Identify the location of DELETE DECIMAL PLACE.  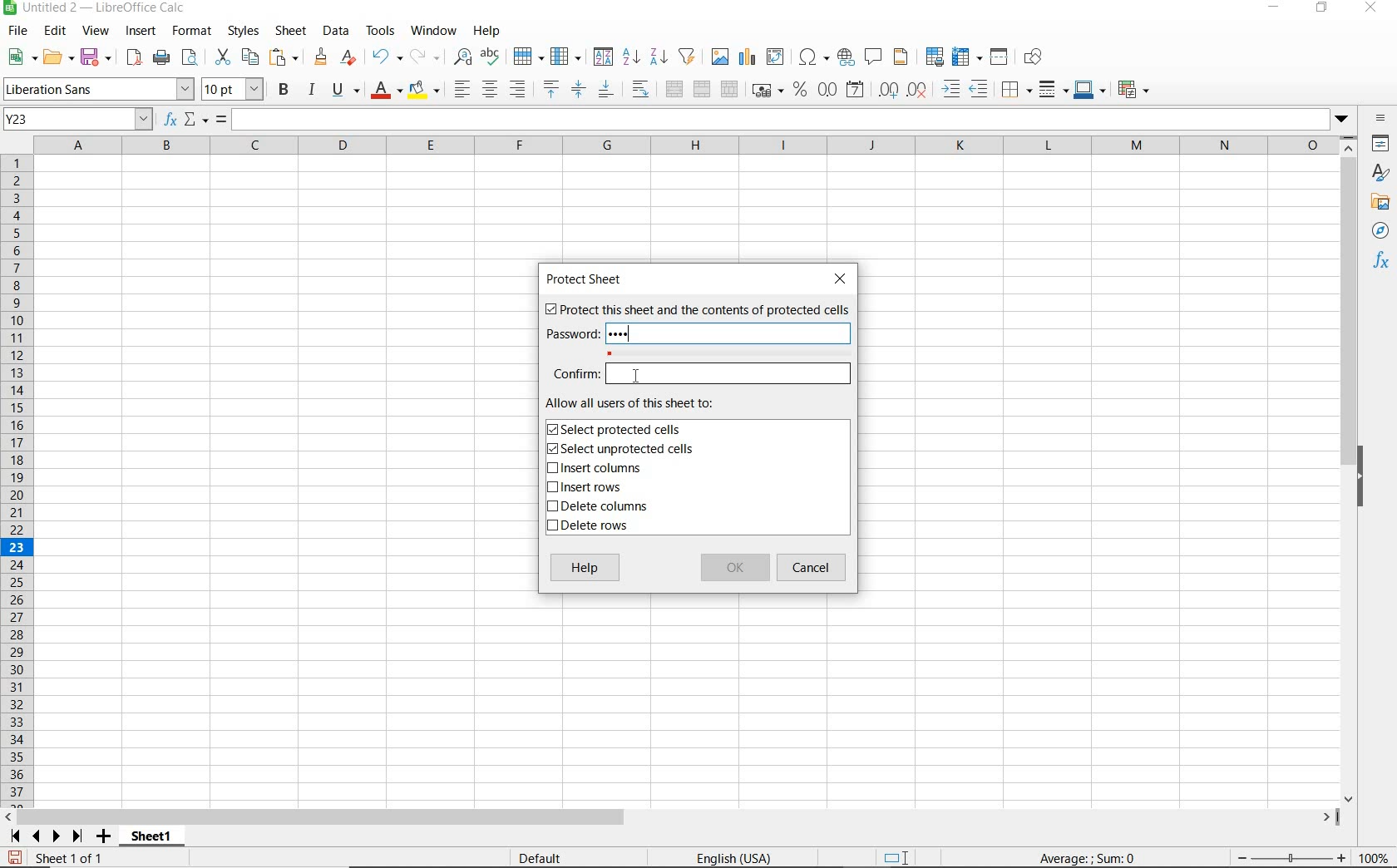
(917, 90).